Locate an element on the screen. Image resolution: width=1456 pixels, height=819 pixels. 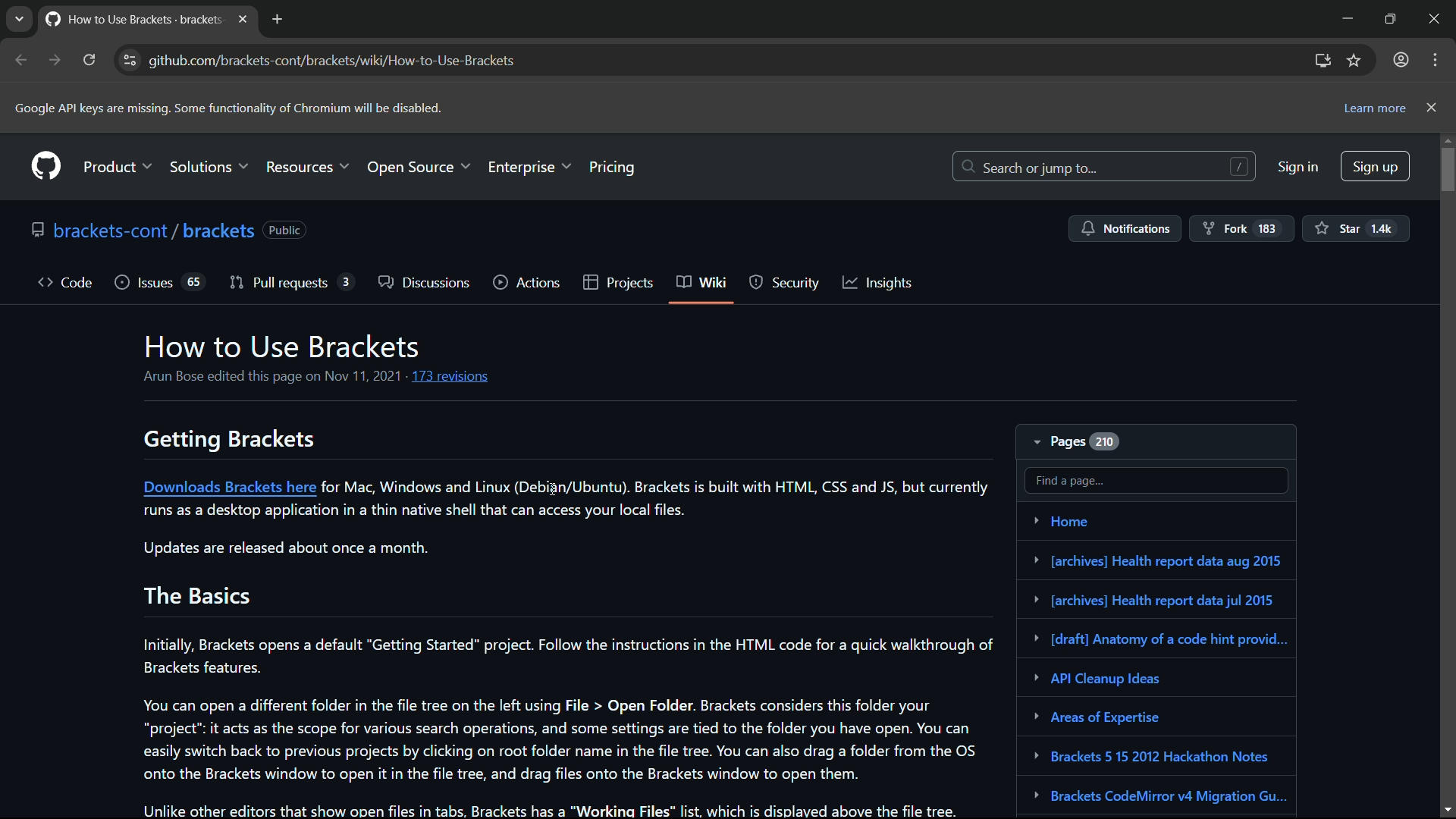
new tab is located at coordinates (276, 19).